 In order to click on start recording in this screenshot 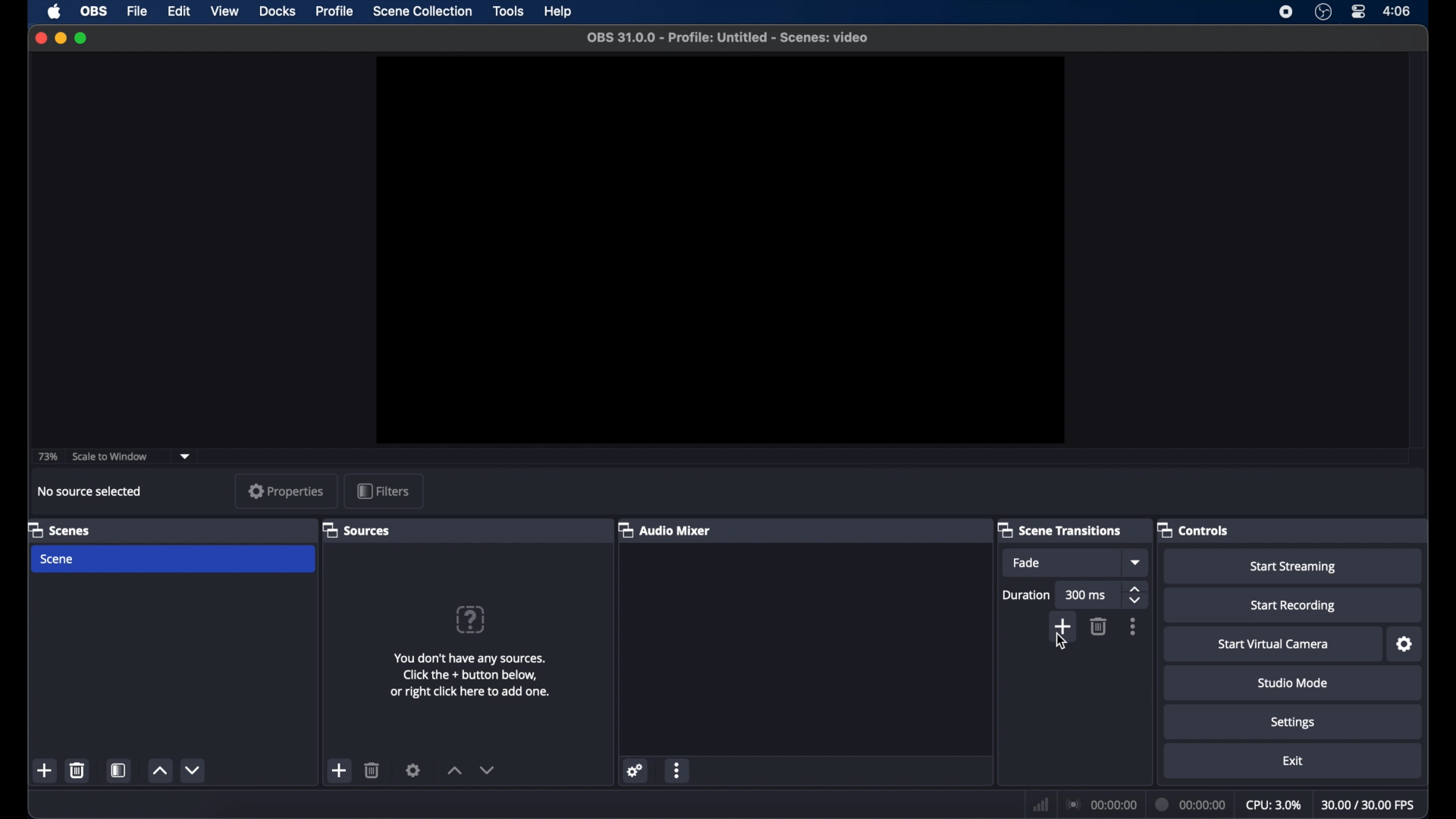, I will do `click(1293, 606)`.